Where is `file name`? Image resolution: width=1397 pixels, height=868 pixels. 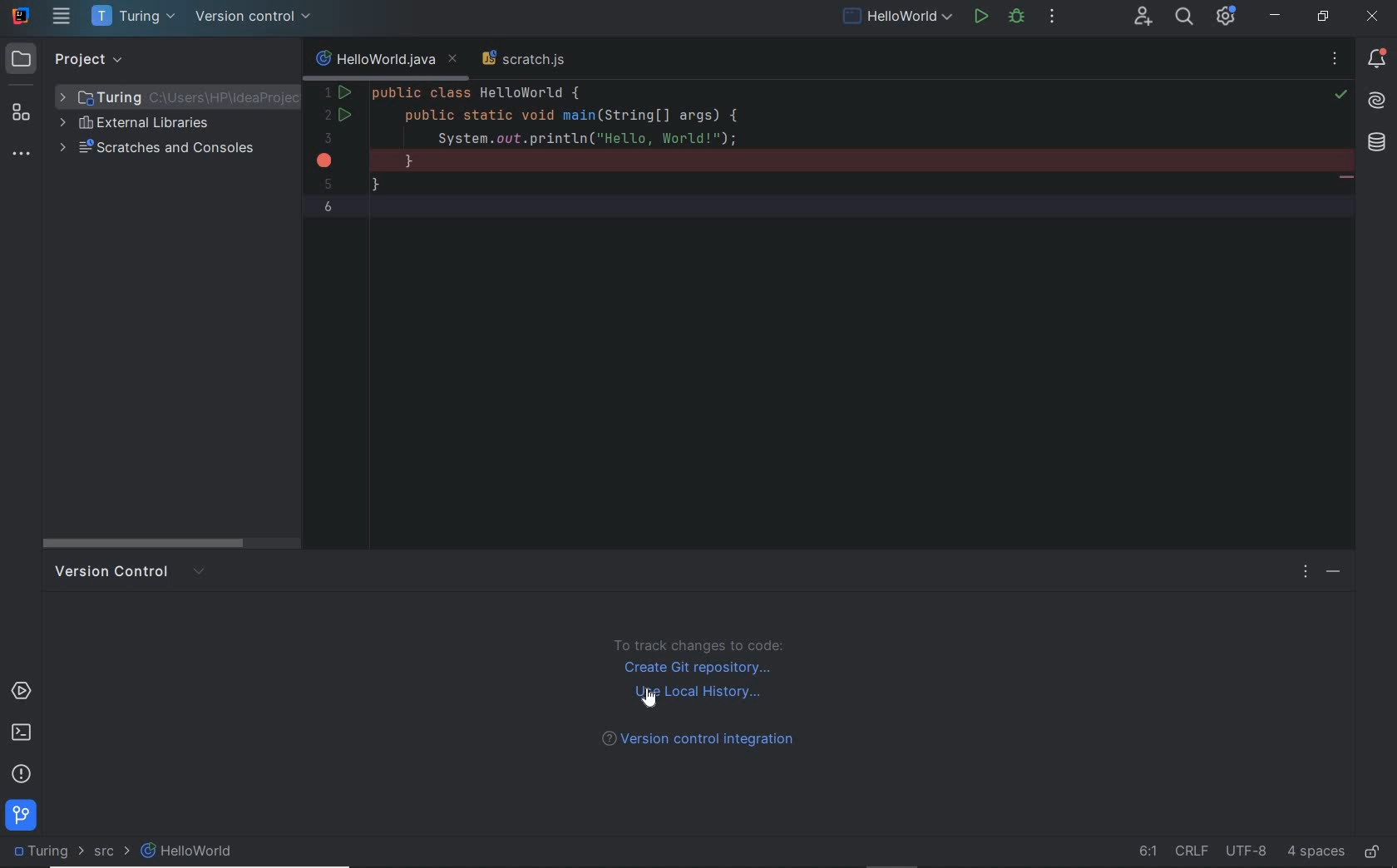
file name is located at coordinates (373, 61).